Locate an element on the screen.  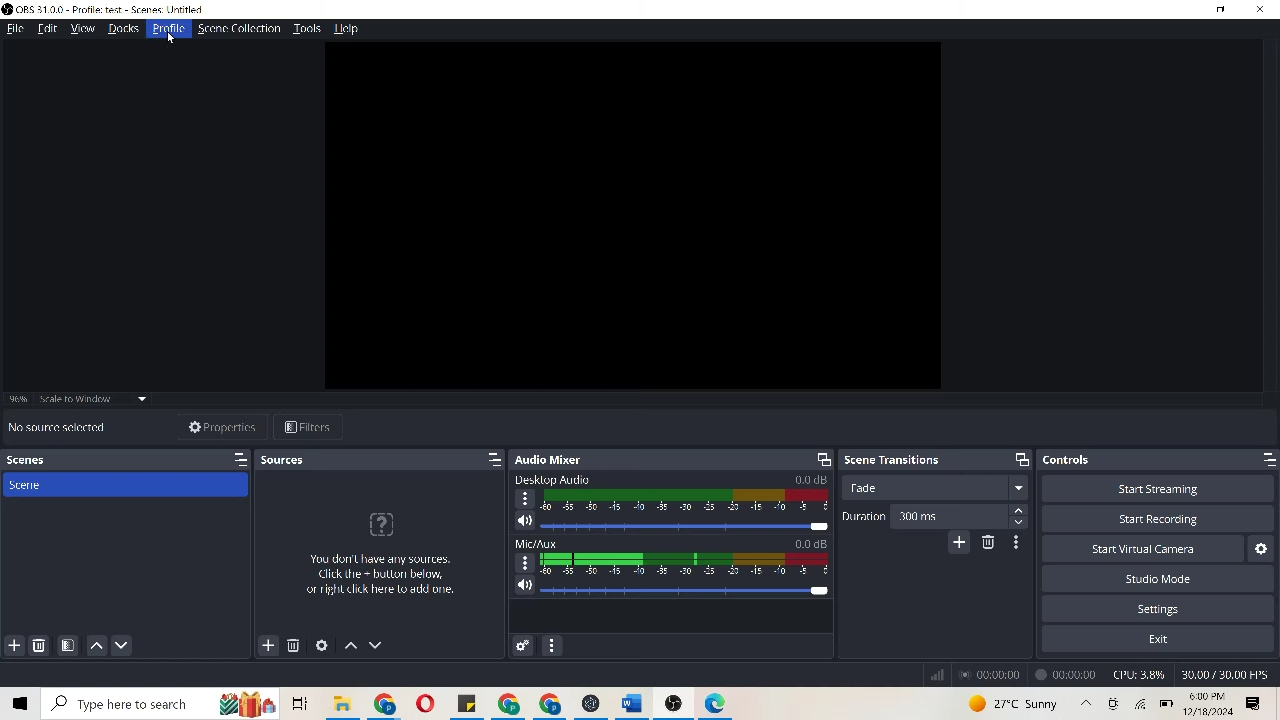
icon is located at coordinates (588, 701).